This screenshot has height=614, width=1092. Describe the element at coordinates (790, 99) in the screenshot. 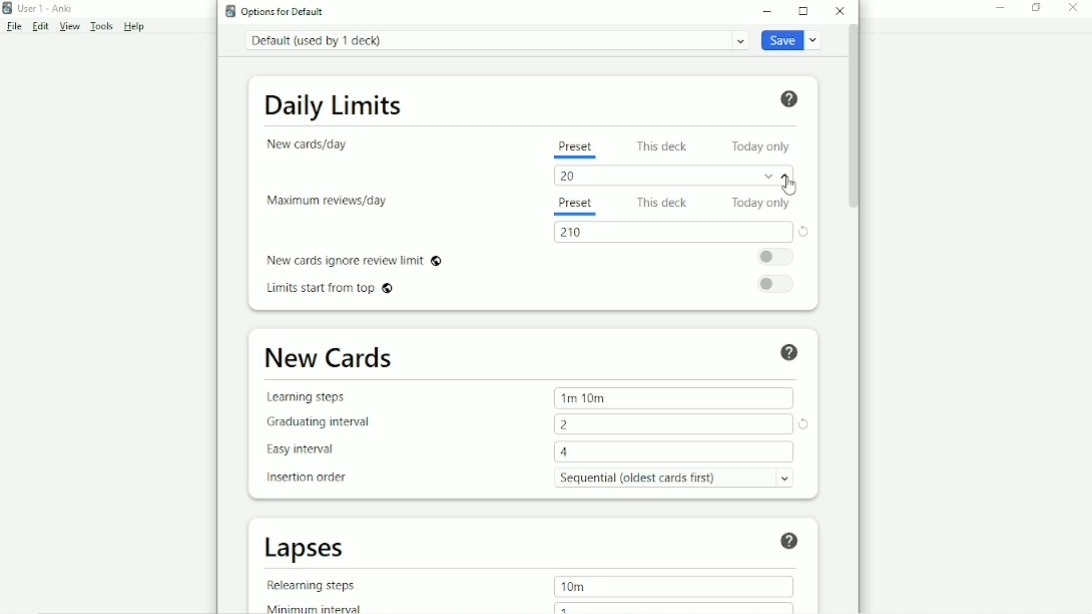

I see `Help` at that location.